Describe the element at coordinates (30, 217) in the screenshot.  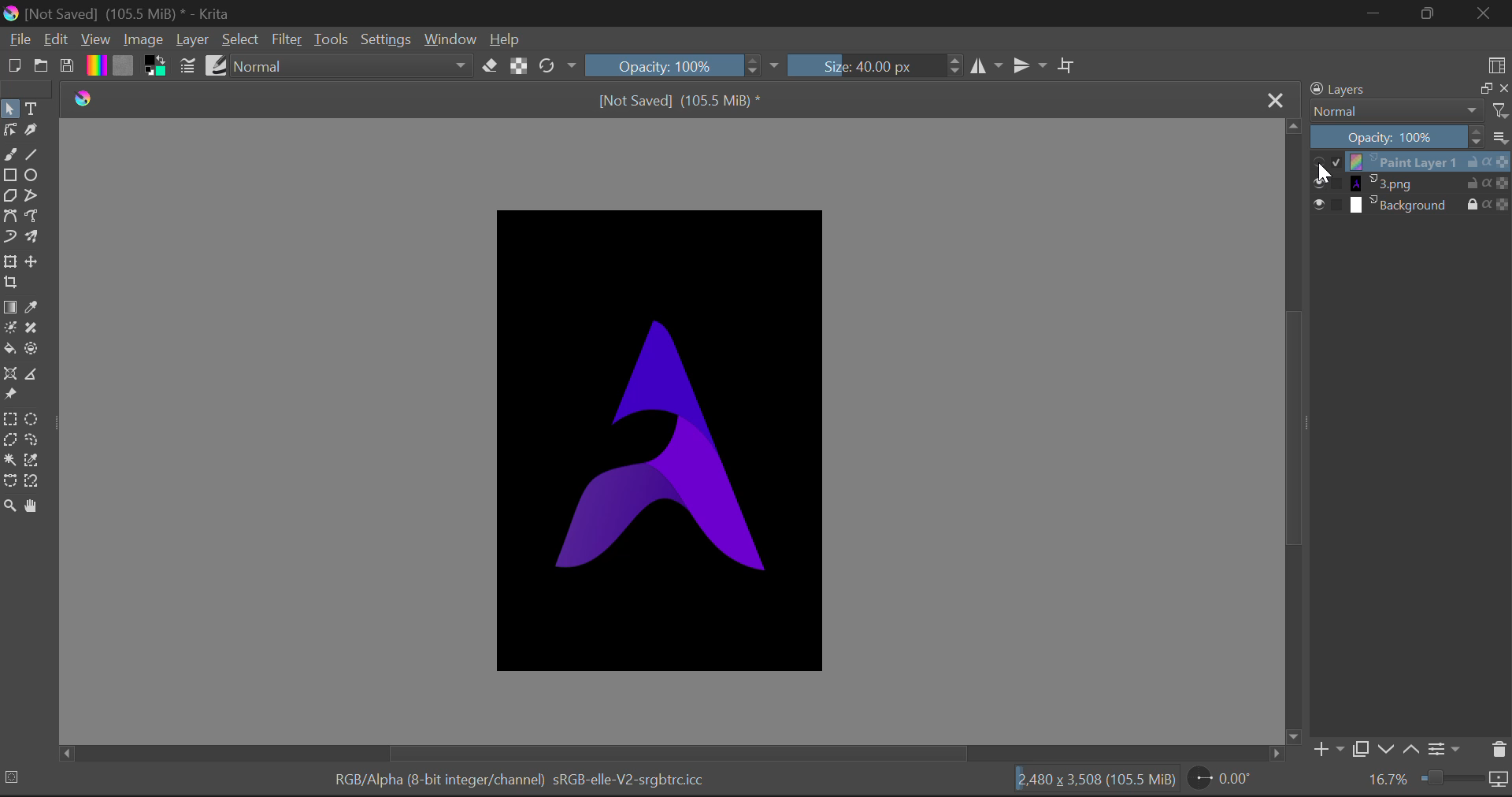
I see `Freehand Path Tool` at that location.